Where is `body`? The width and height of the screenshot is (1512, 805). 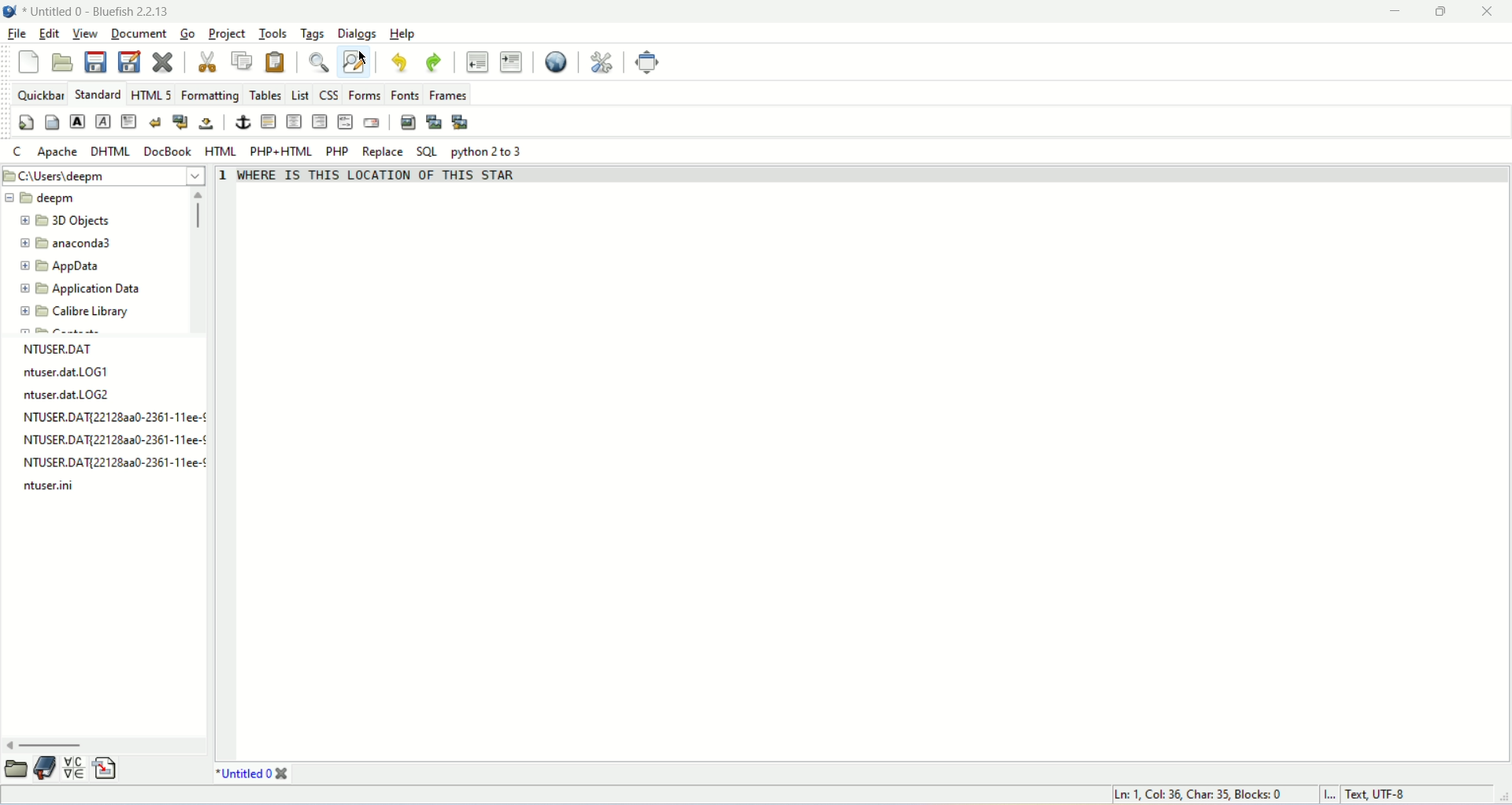 body is located at coordinates (53, 123).